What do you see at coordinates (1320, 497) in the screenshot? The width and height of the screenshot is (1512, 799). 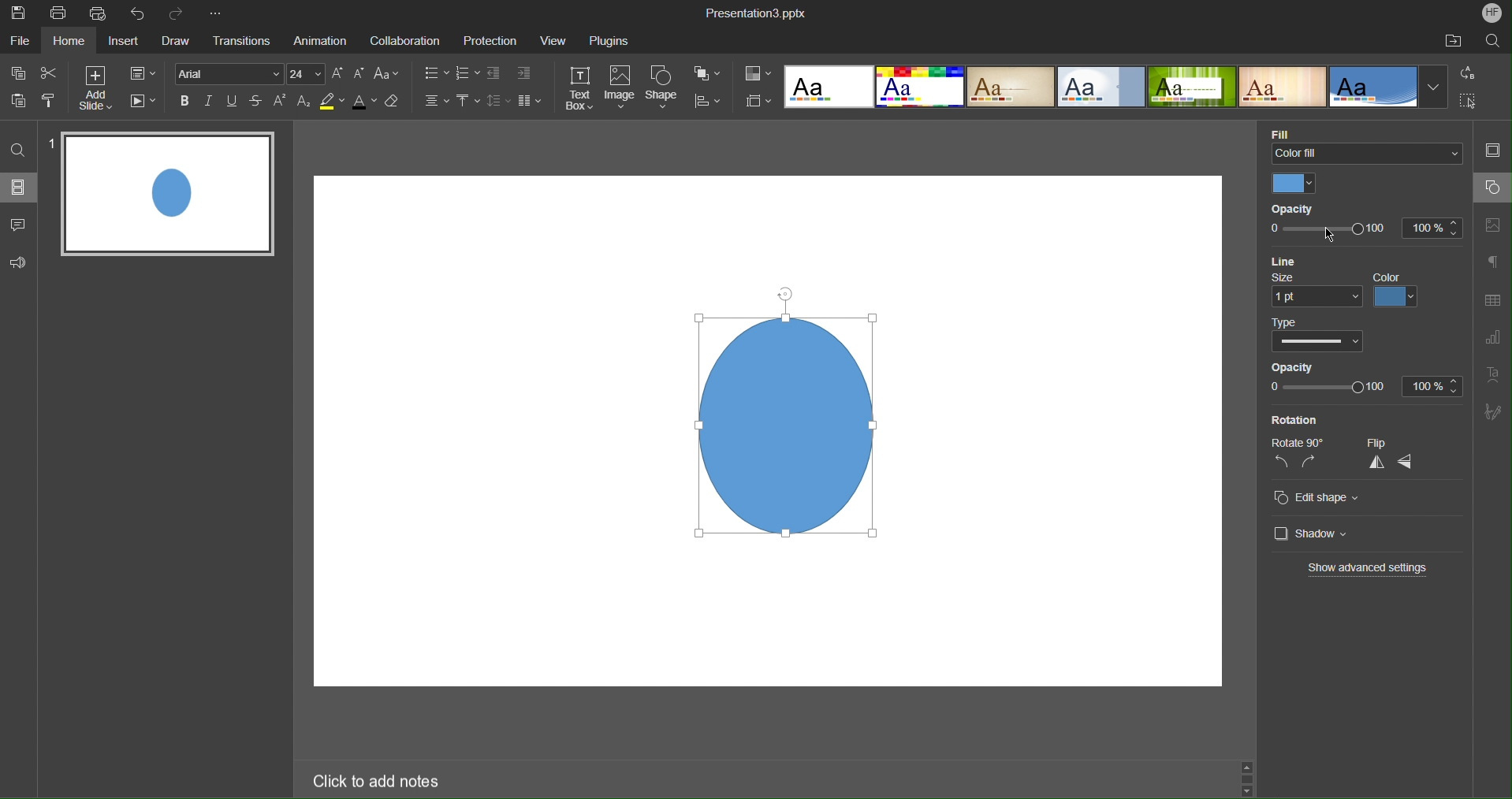 I see `Edit Shape` at bounding box center [1320, 497].